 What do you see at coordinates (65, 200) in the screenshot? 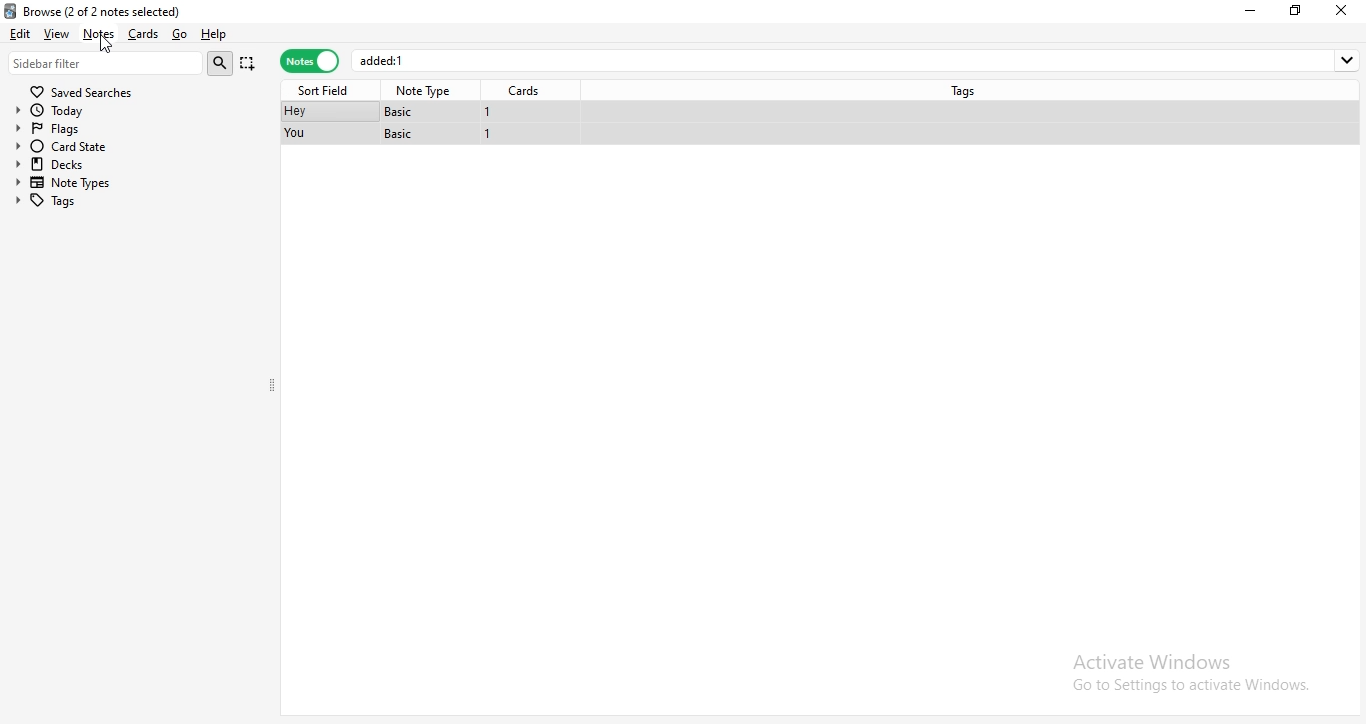
I see `tags` at bounding box center [65, 200].